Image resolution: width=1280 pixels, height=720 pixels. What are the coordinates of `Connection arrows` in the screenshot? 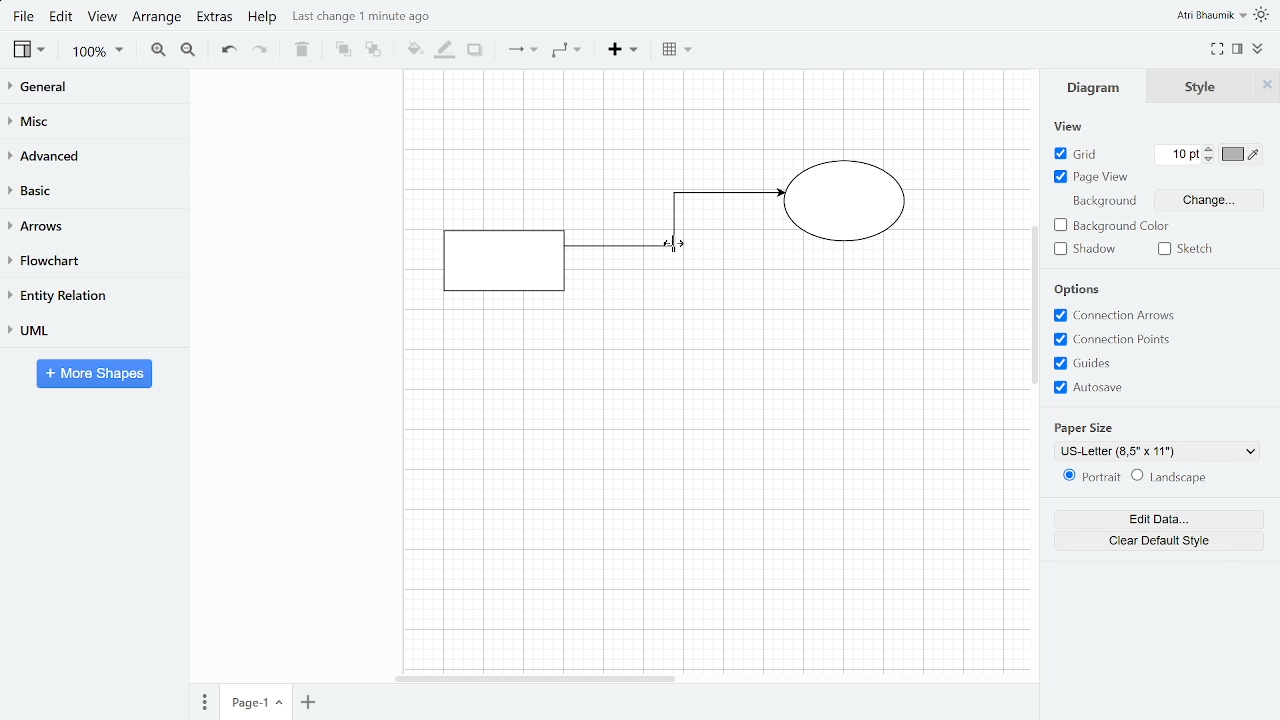 It's located at (1114, 315).